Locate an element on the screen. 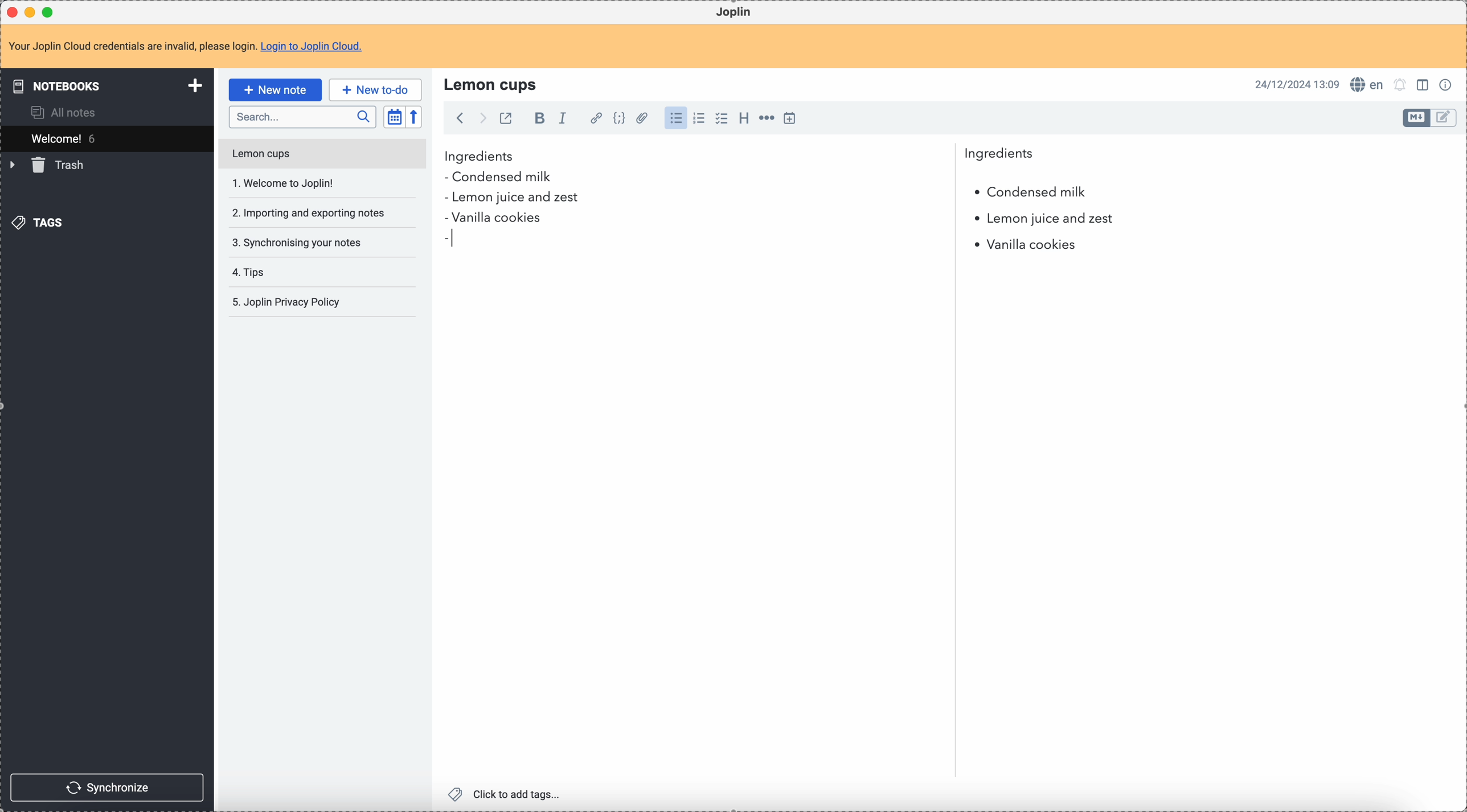 The width and height of the screenshot is (1467, 812). welcome is located at coordinates (106, 138).